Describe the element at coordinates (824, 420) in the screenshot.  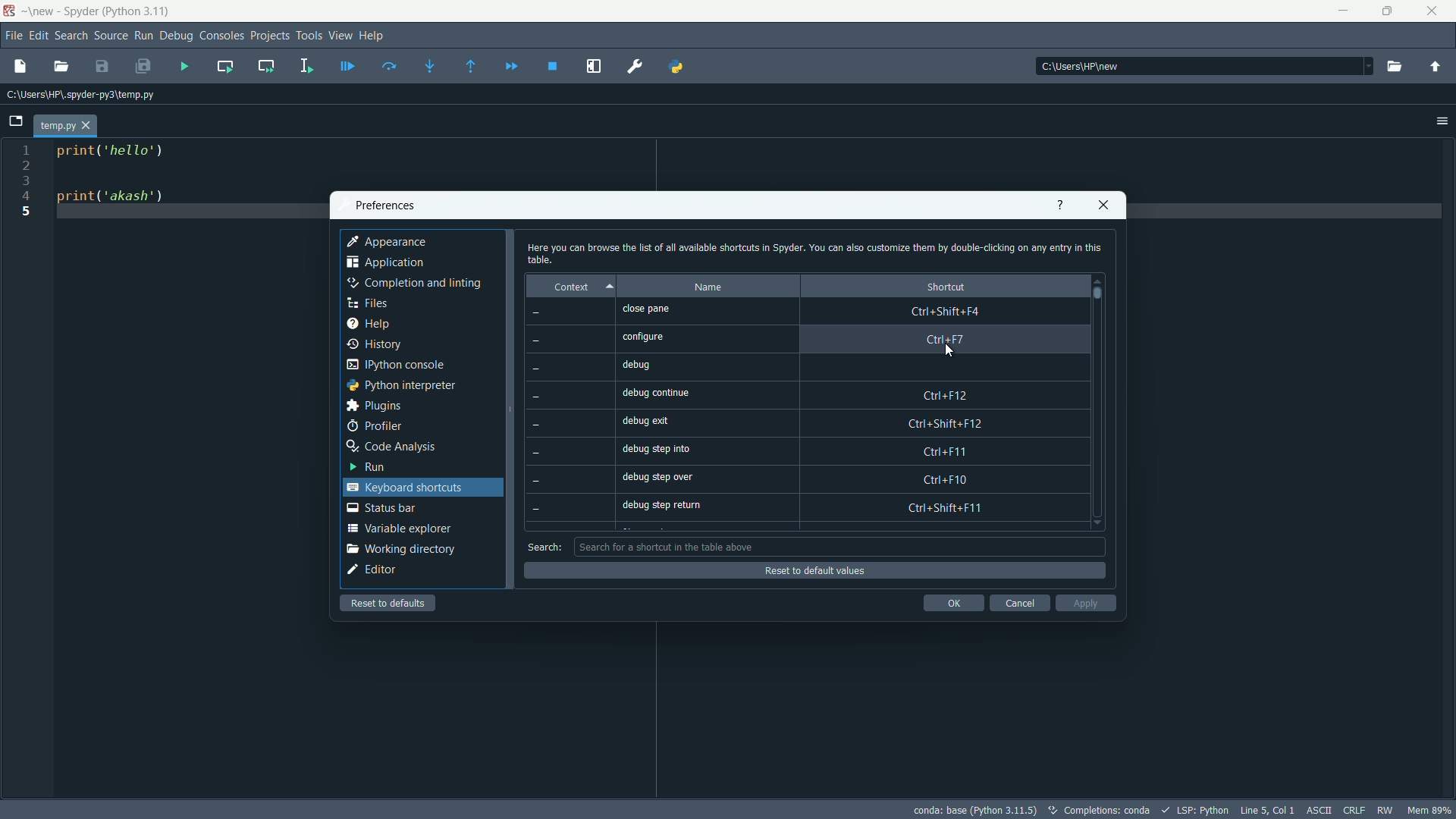
I see `debug exit Ctrl+Shift+F12` at that location.